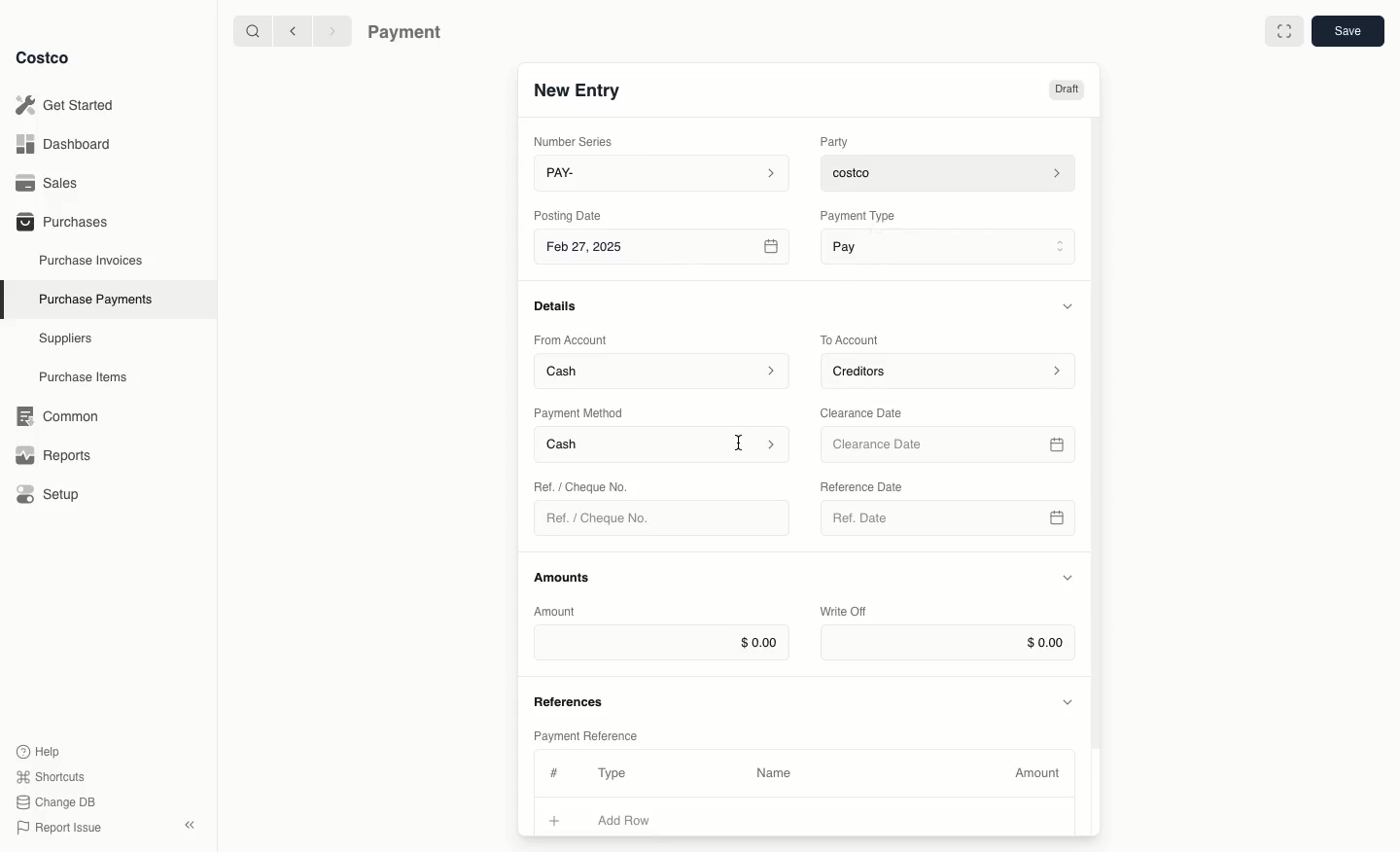 The image size is (1400, 852). Describe the element at coordinates (948, 643) in the screenshot. I see `$0.00` at that location.